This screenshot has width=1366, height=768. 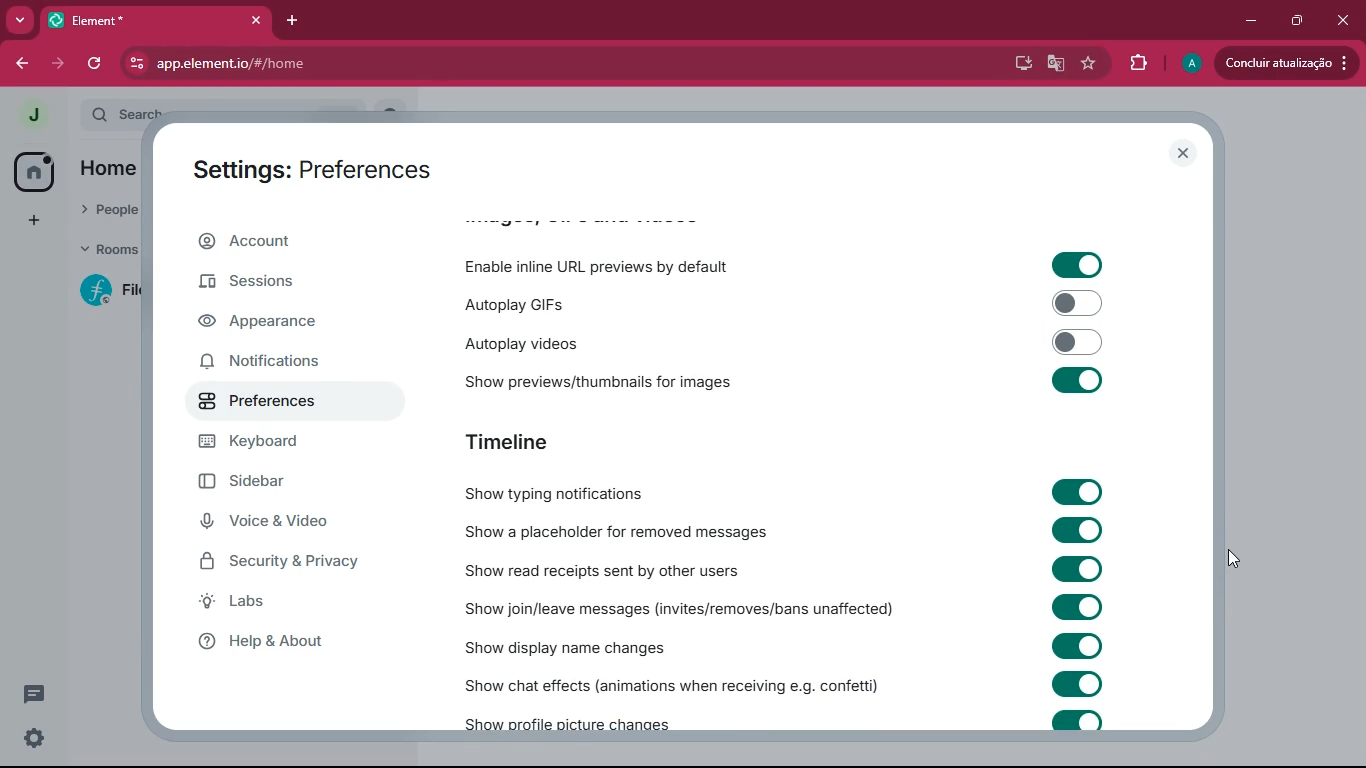 I want to click on home, so click(x=34, y=171).